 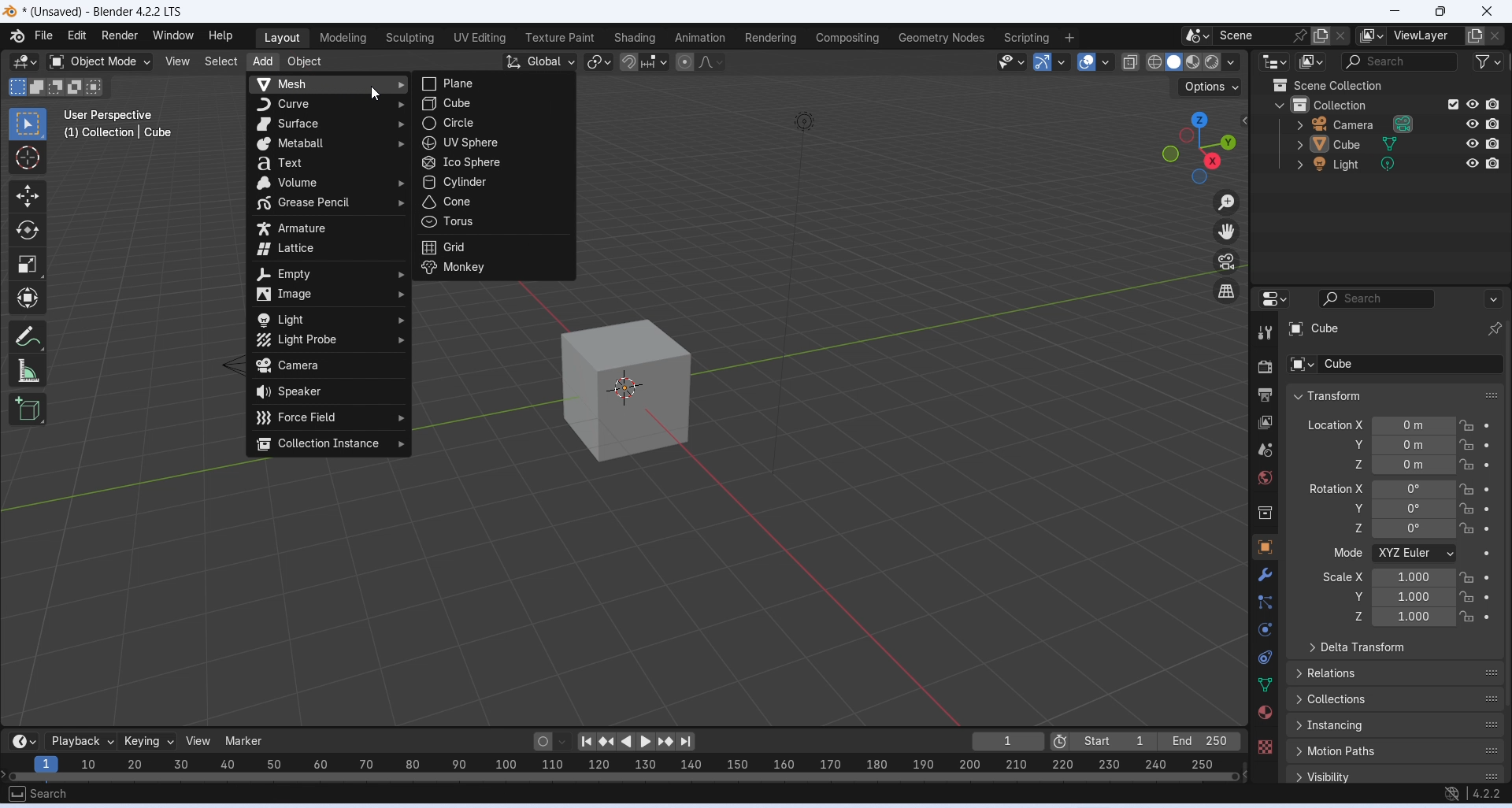 What do you see at coordinates (1264, 712) in the screenshot?
I see `material` at bounding box center [1264, 712].